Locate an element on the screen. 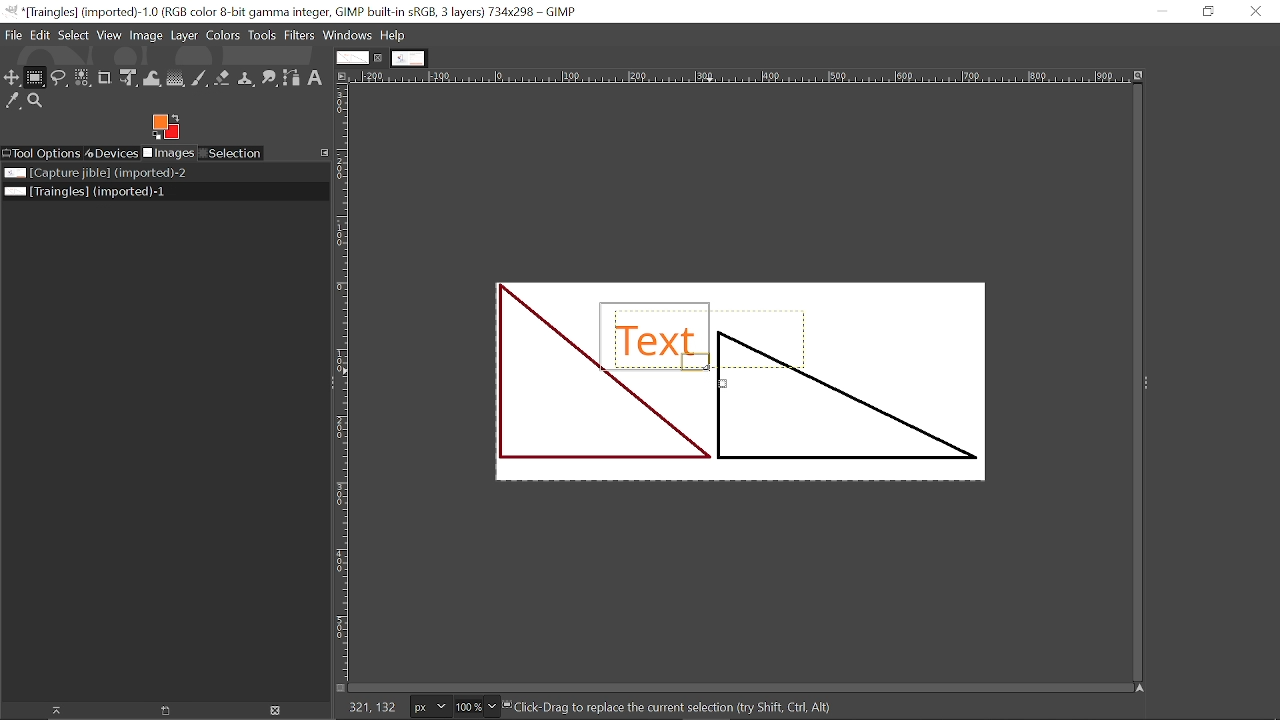 The image size is (1280, 720). Image is located at coordinates (146, 36).